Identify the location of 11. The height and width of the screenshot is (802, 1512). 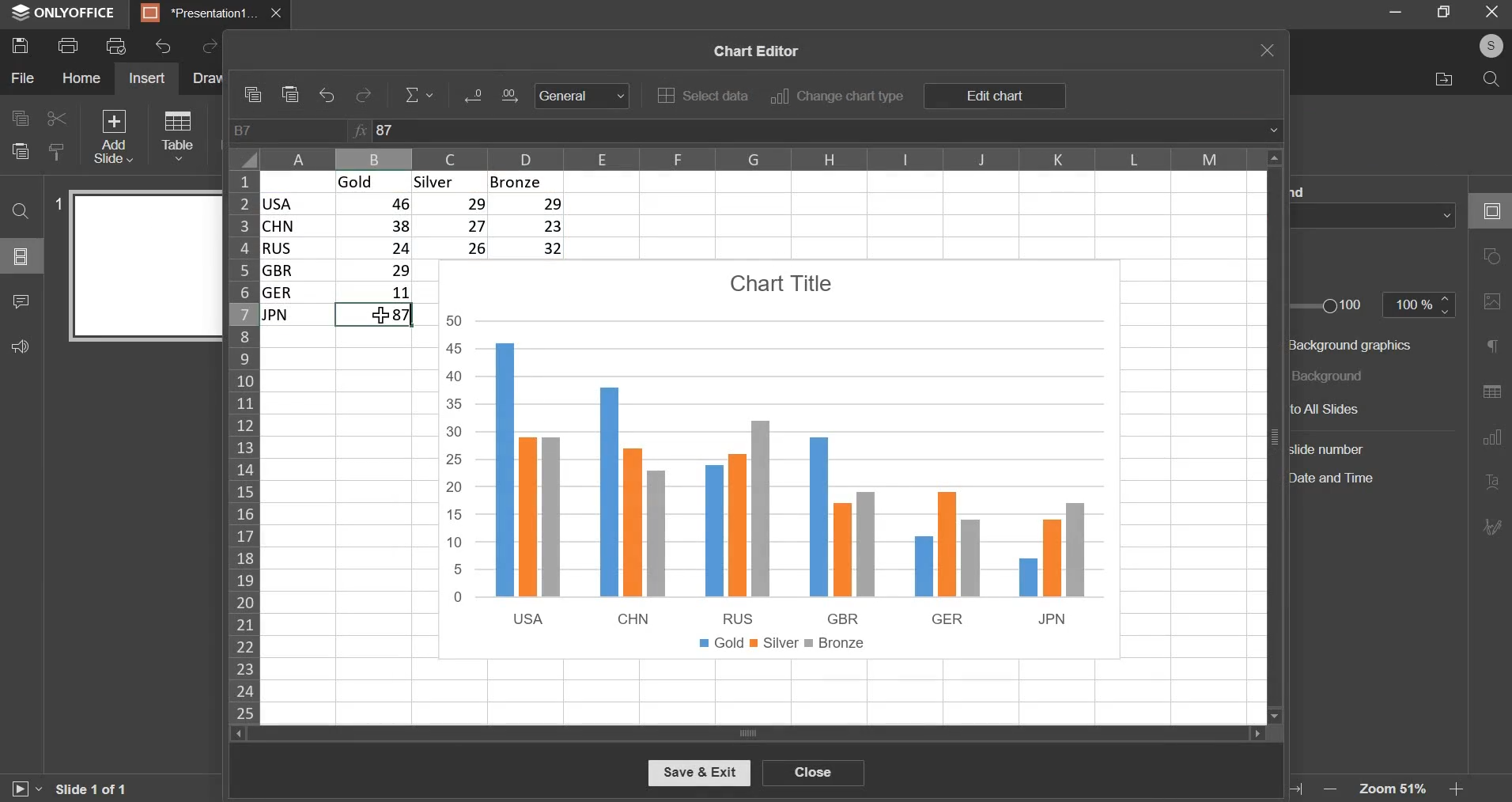
(376, 294).